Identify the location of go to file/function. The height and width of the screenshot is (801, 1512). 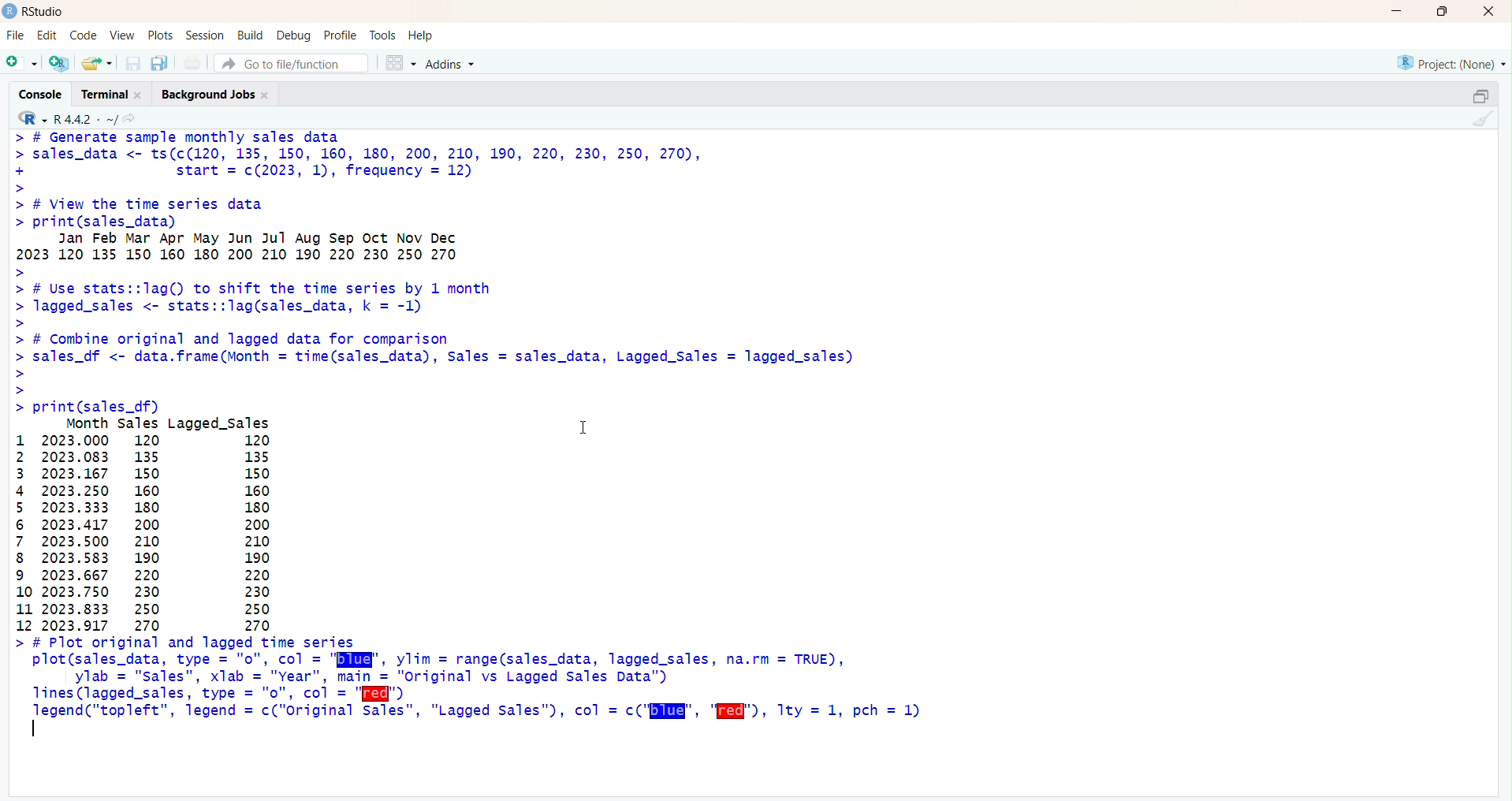
(285, 64).